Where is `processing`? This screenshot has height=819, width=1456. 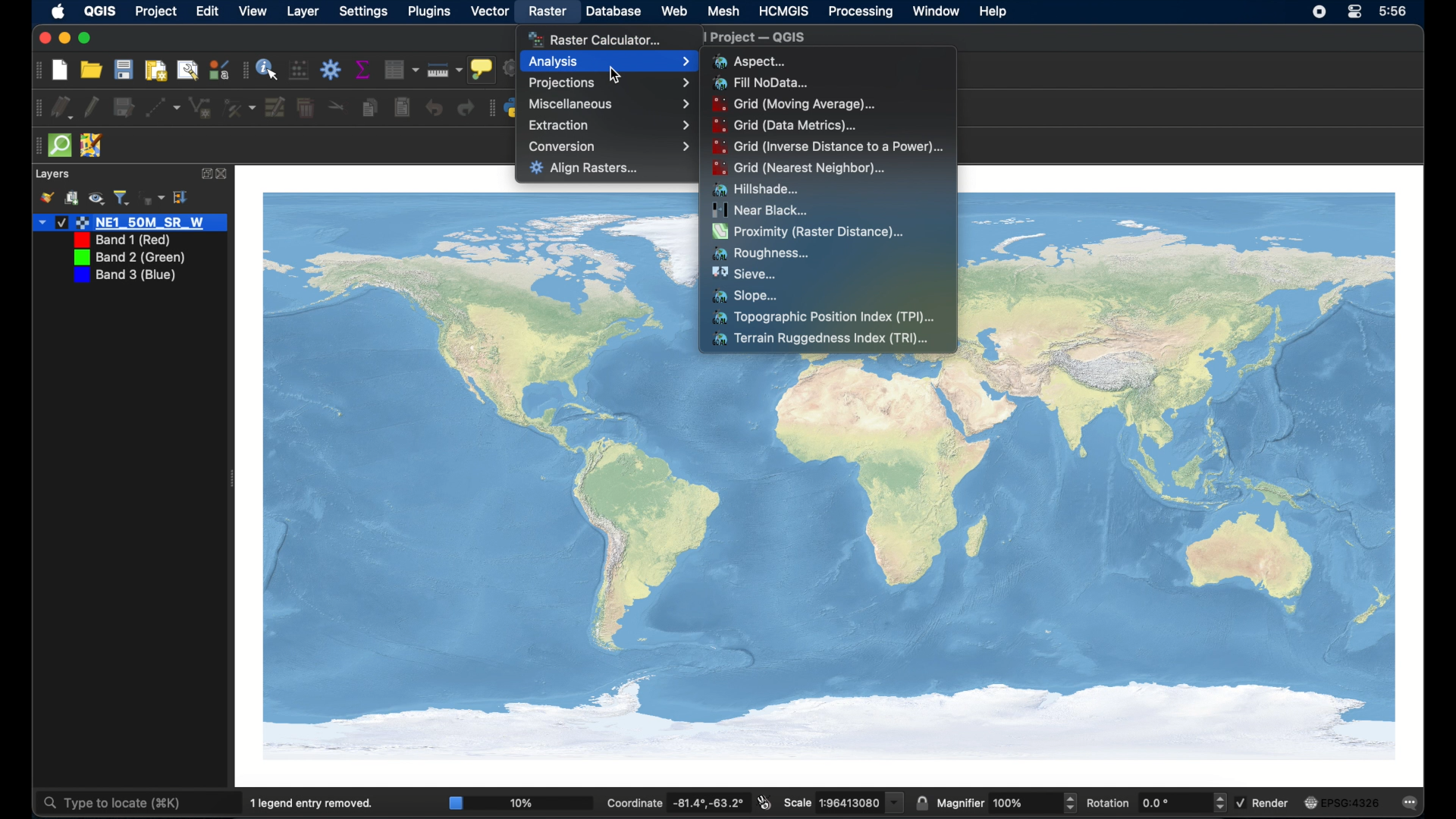
processing is located at coordinates (861, 13).